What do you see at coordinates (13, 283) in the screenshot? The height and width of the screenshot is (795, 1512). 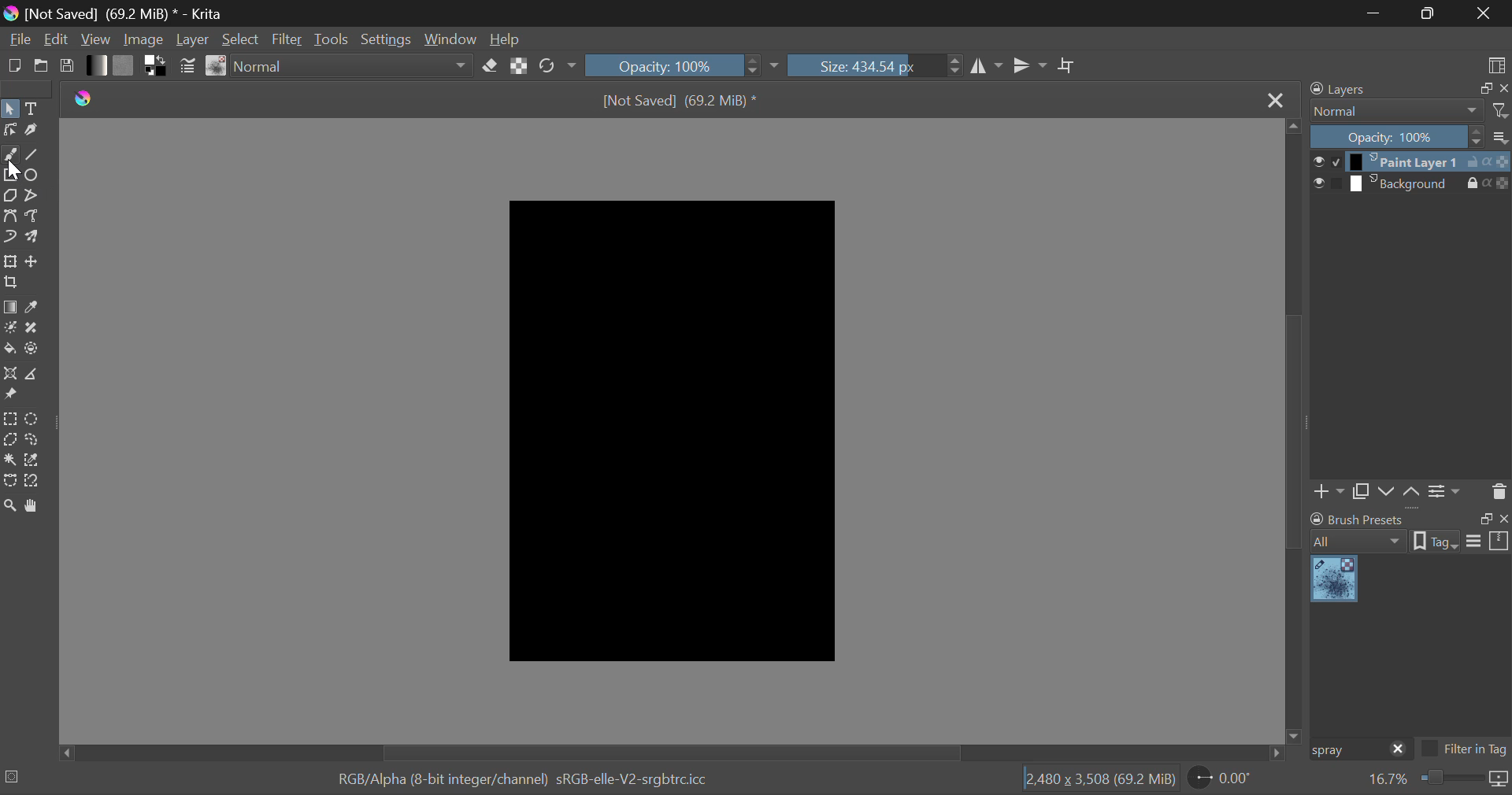 I see `Crop Layer` at bounding box center [13, 283].